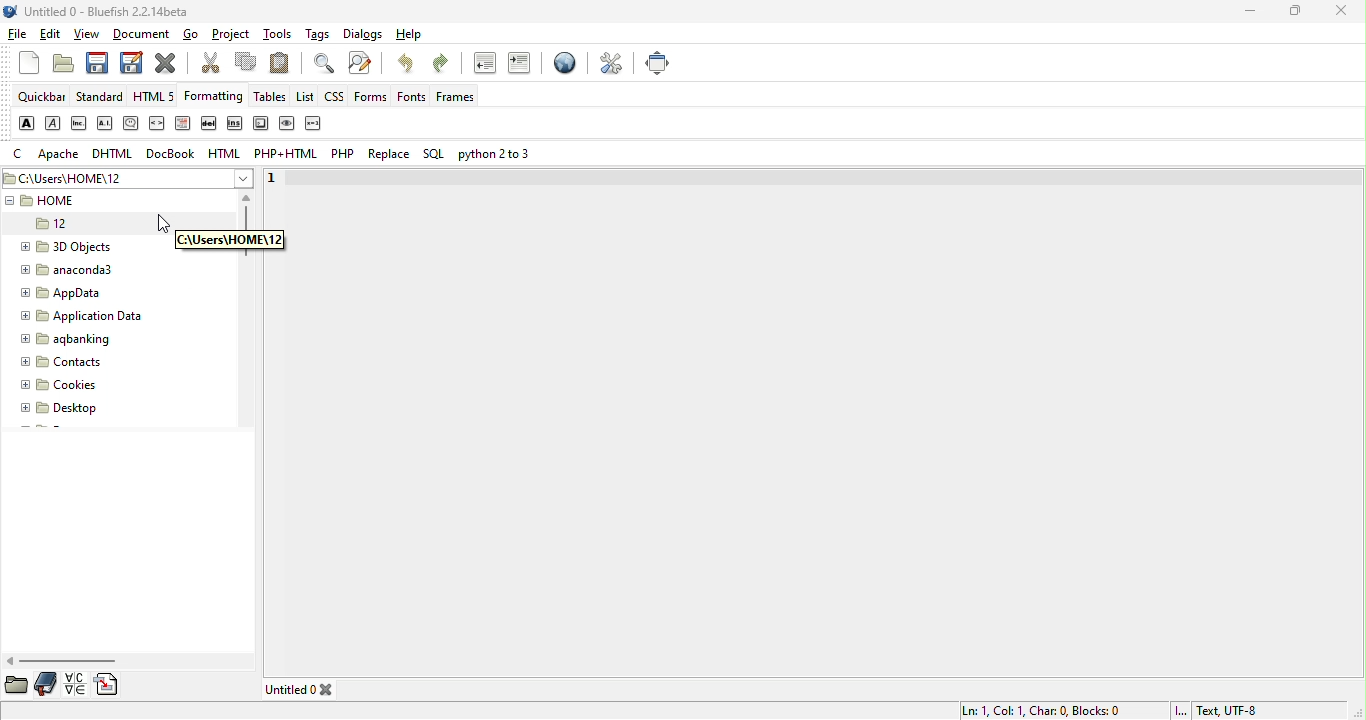 This screenshot has height=720, width=1366. I want to click on vertical scroll  bar, so click(245, 224).